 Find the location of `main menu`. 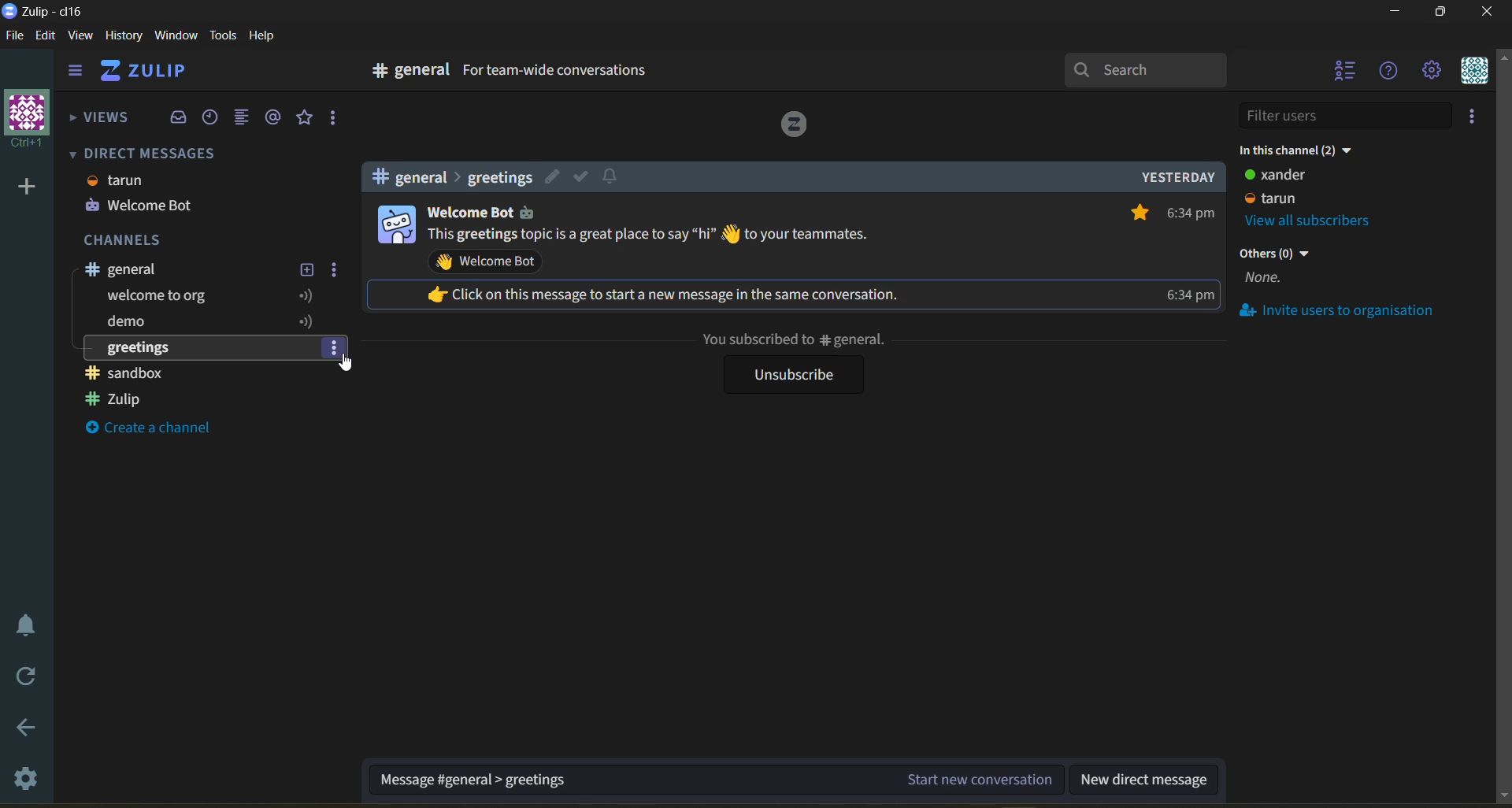

main menu is located at coordinates (1436, 72).